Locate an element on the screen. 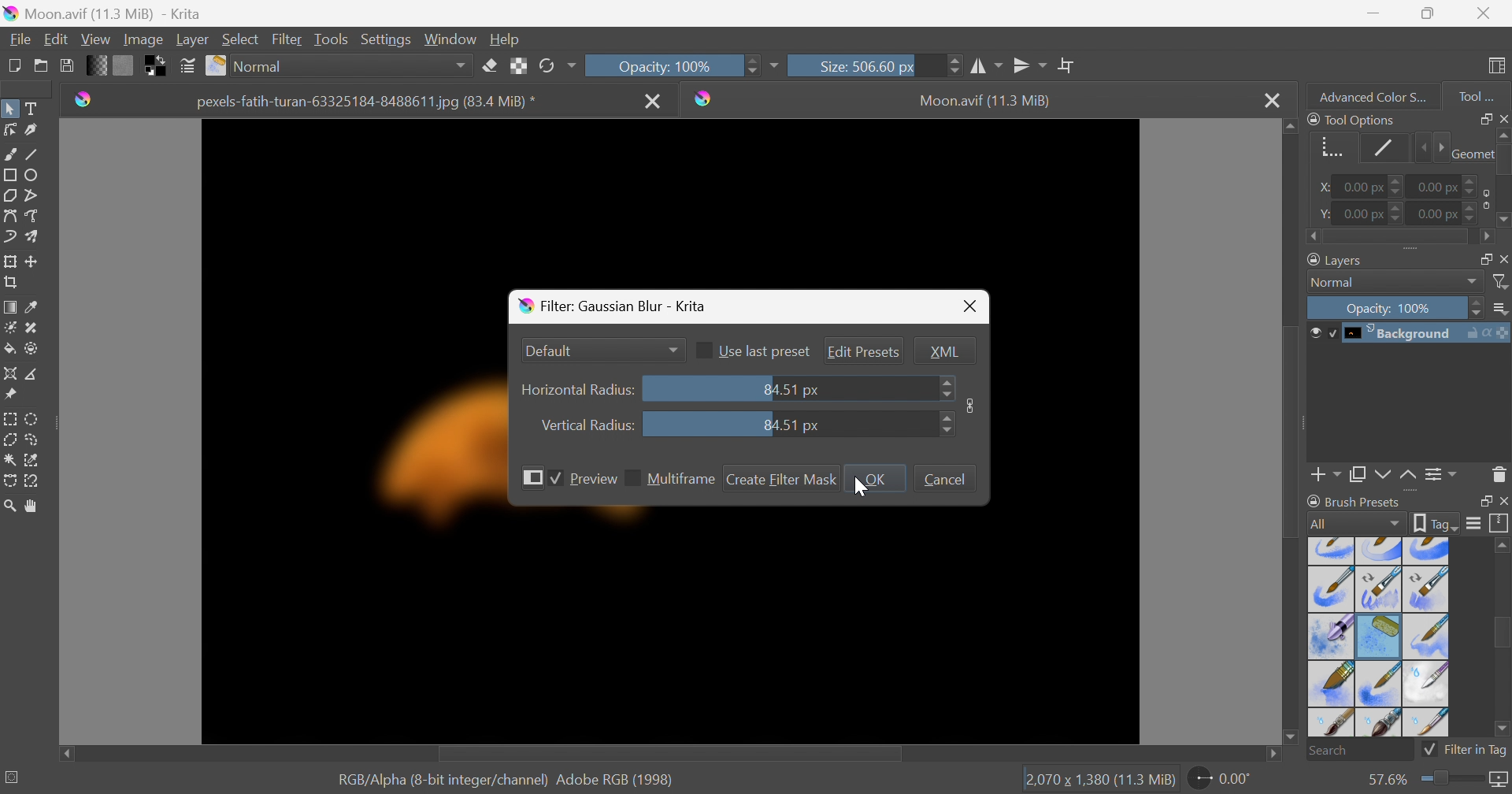  Transform a layer or a selection is located at coordinates (9, 260).